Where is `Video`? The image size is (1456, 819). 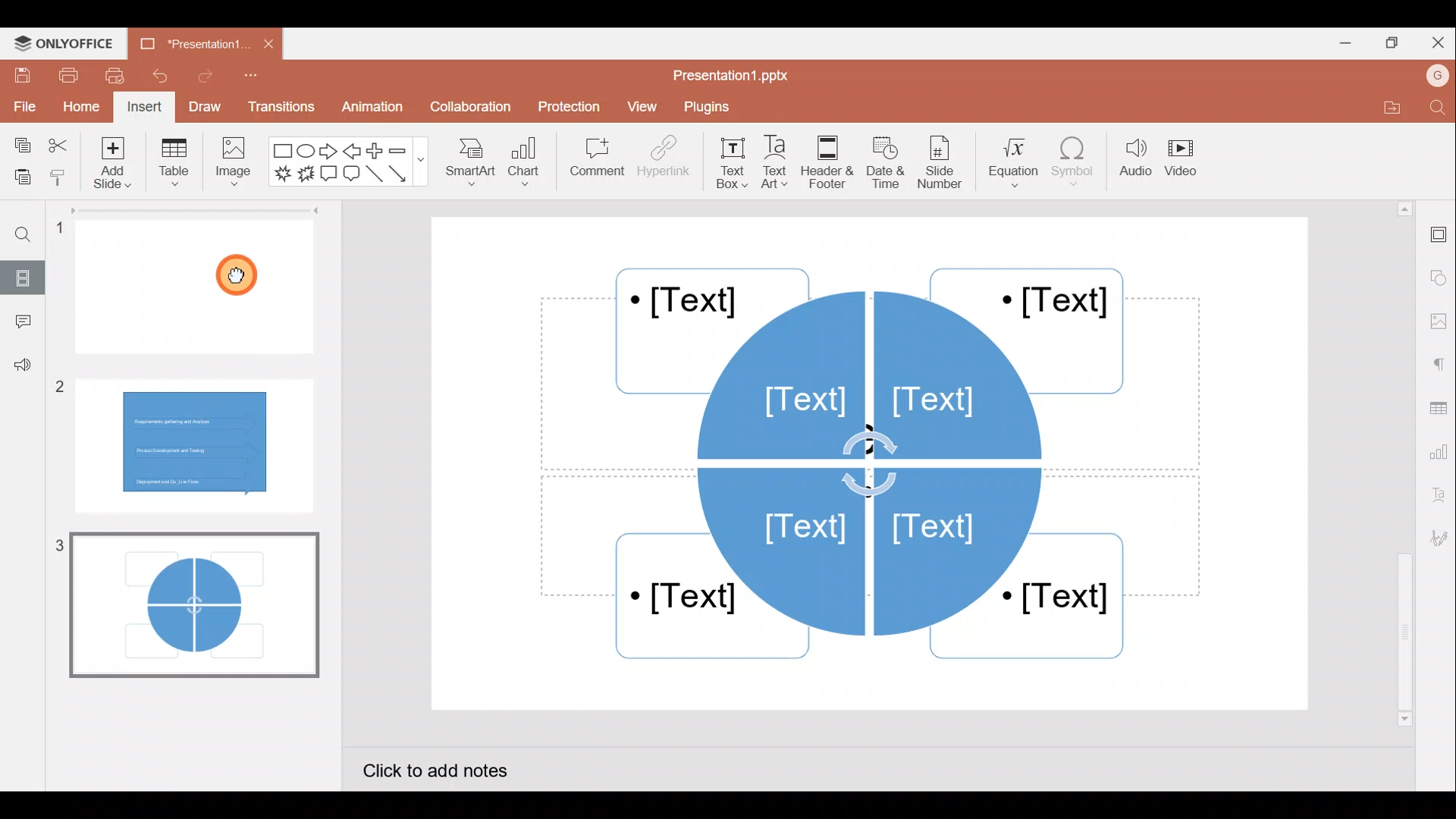 Video is located at coordinates (1187, 157).